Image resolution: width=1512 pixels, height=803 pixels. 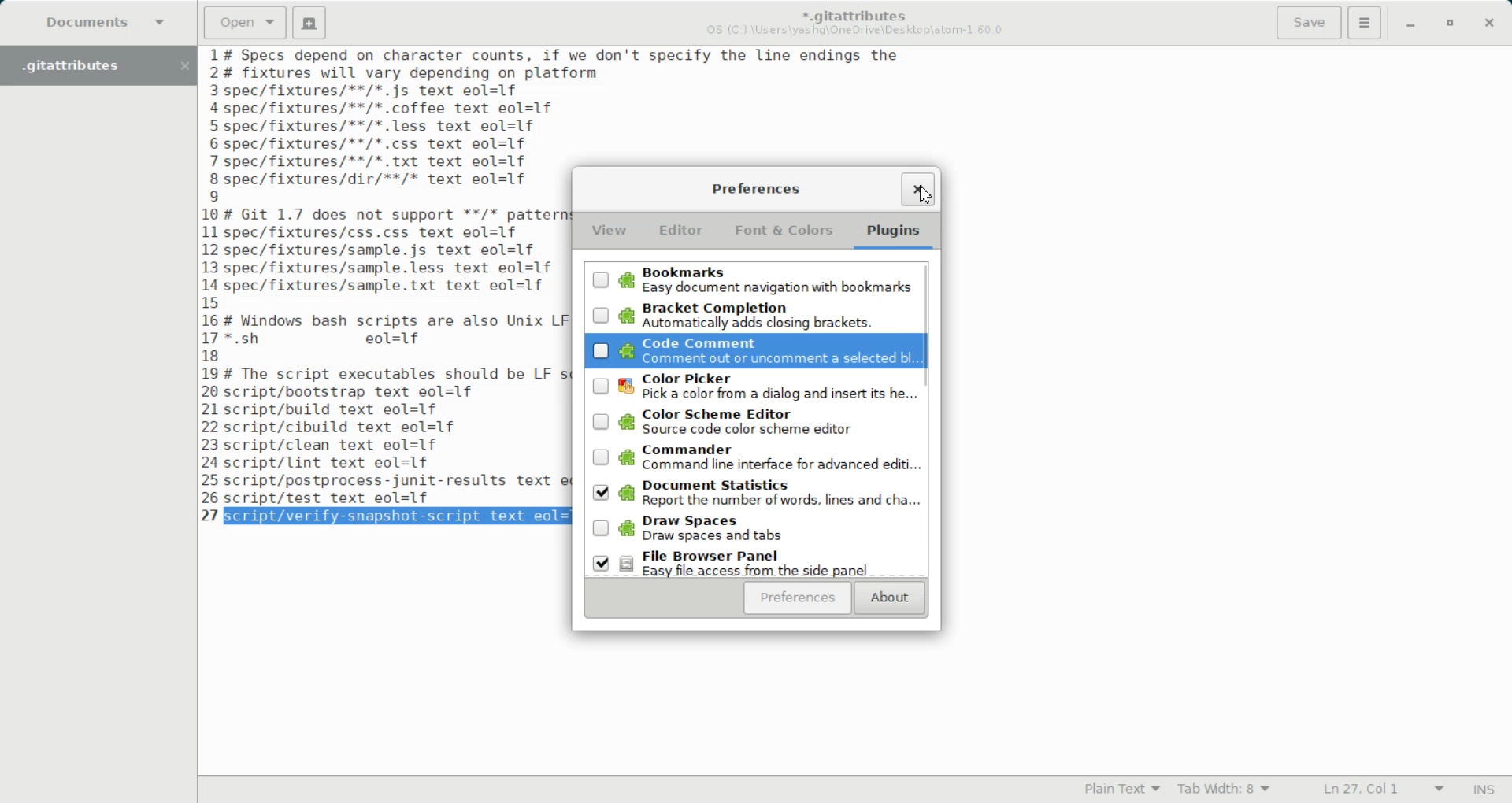 I want to click on File Browser Panel: Easy file access from the side panel., so click(x=752, y=561).